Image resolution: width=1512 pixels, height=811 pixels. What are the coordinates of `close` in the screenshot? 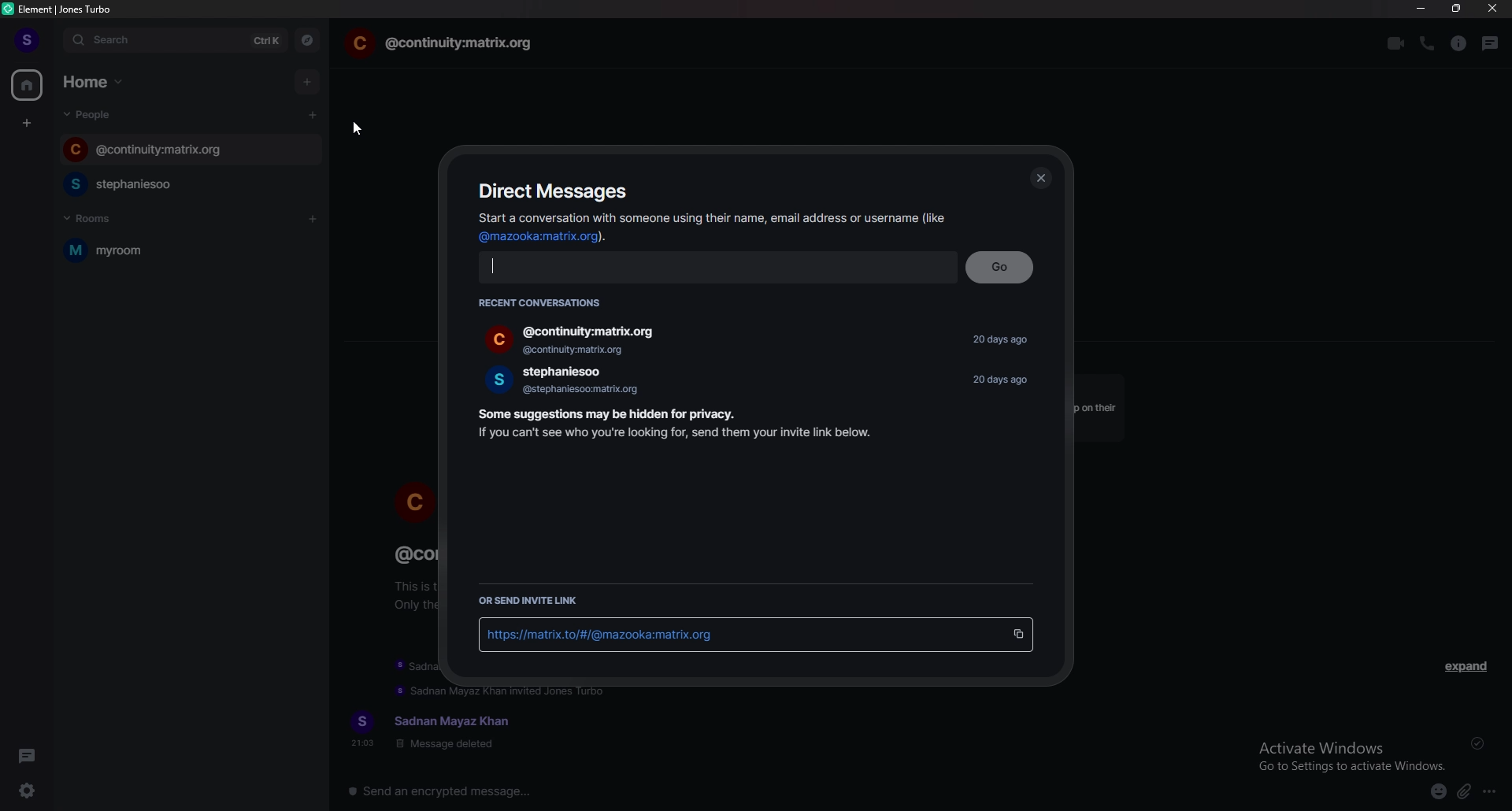 It's located at (1492, 9).